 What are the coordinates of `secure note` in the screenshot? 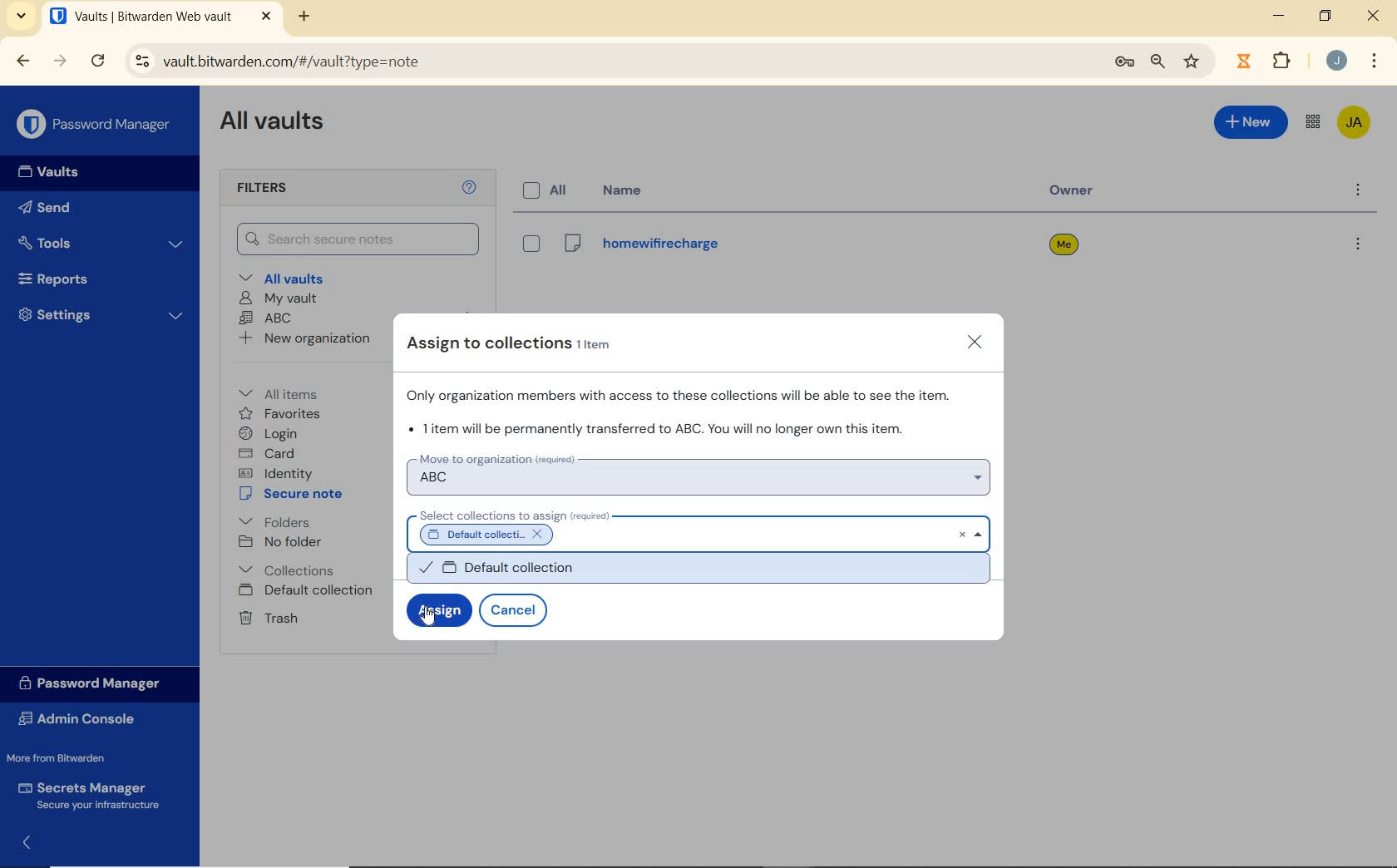 It's located at (294, 494).